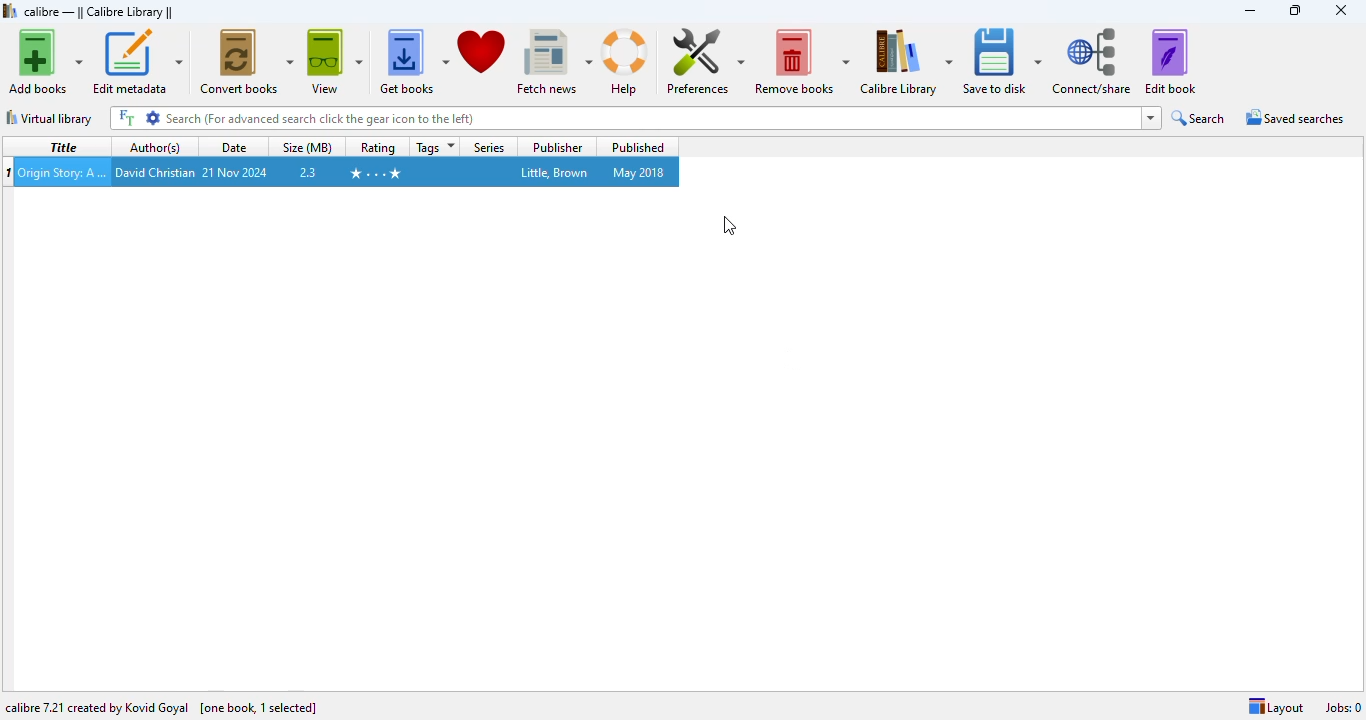 This screenshot has height=720, width=1366. I want to click on calibre library, so click(906, 61).